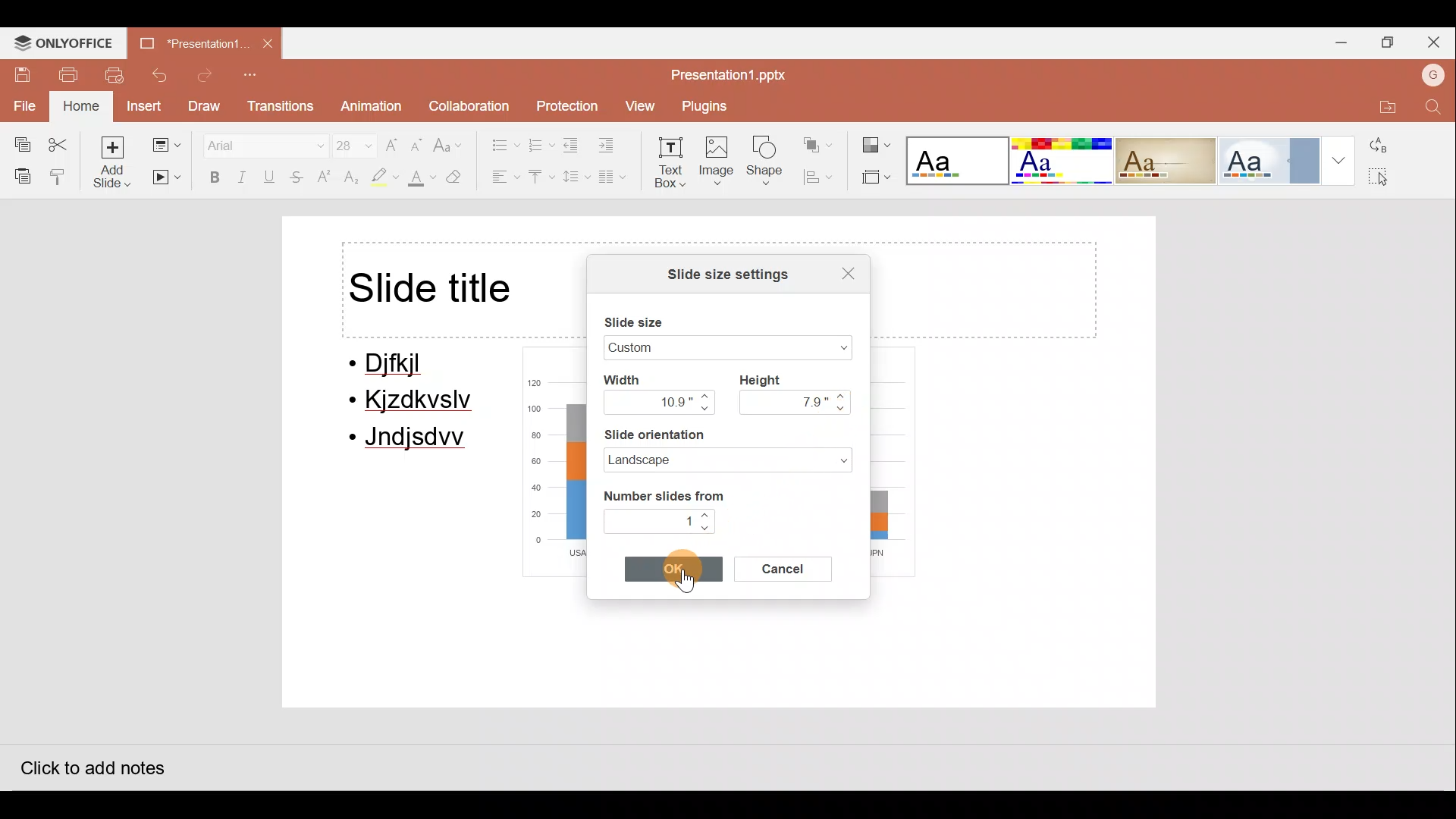  I want to click on Italic, so click(243, 176).